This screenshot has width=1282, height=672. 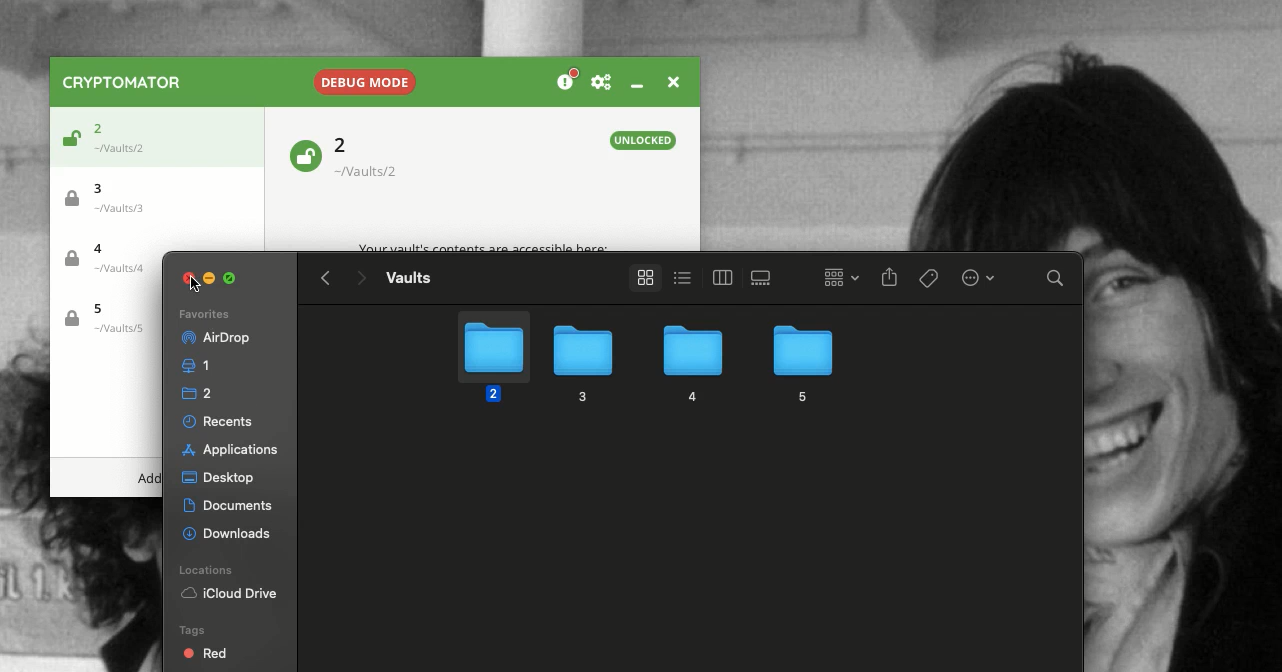 I want to click on Your vault's contents are accessible here, so click(x=483, y=248).